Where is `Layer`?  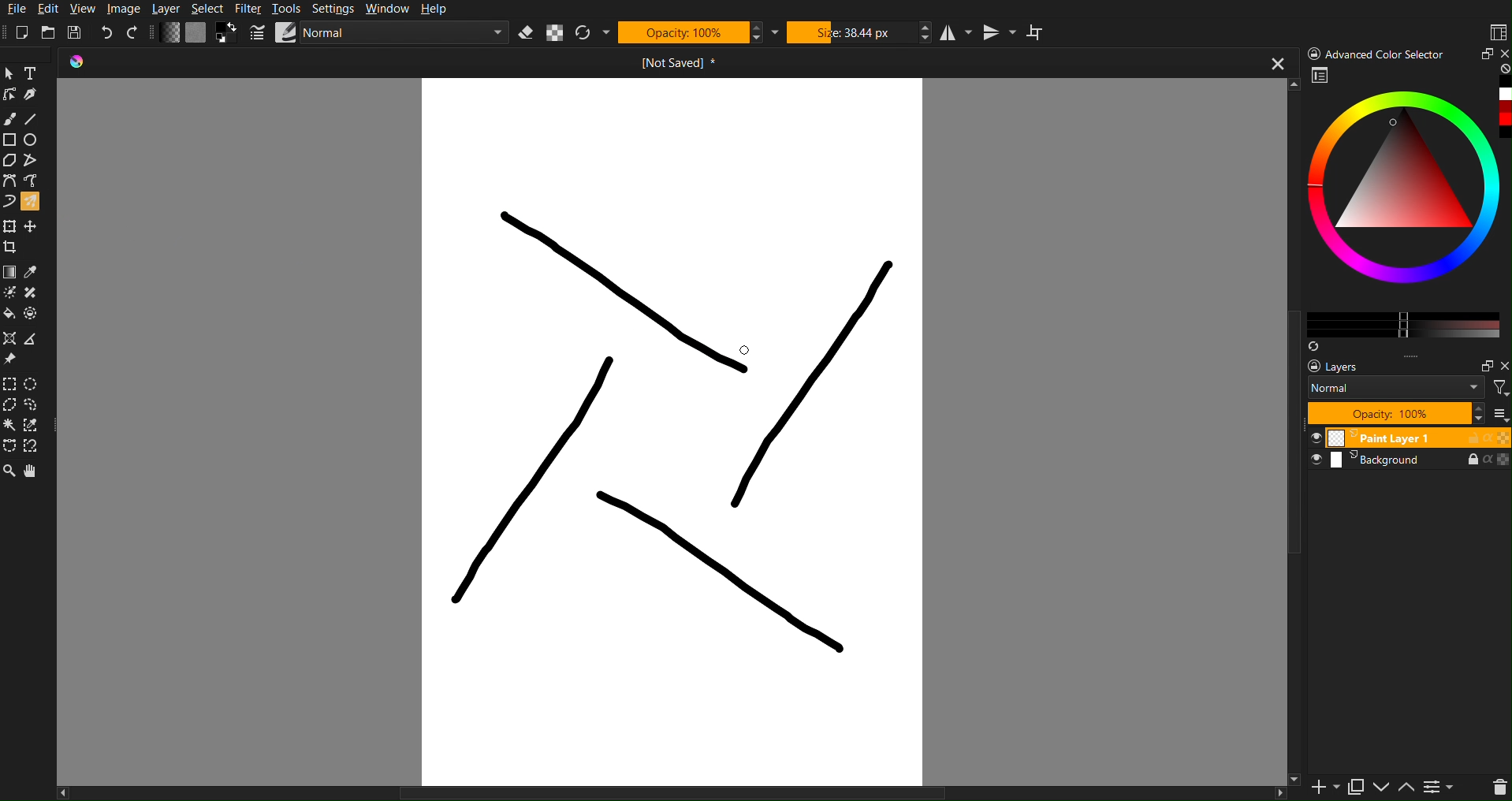
Layer is located at coordinates (172, 9).